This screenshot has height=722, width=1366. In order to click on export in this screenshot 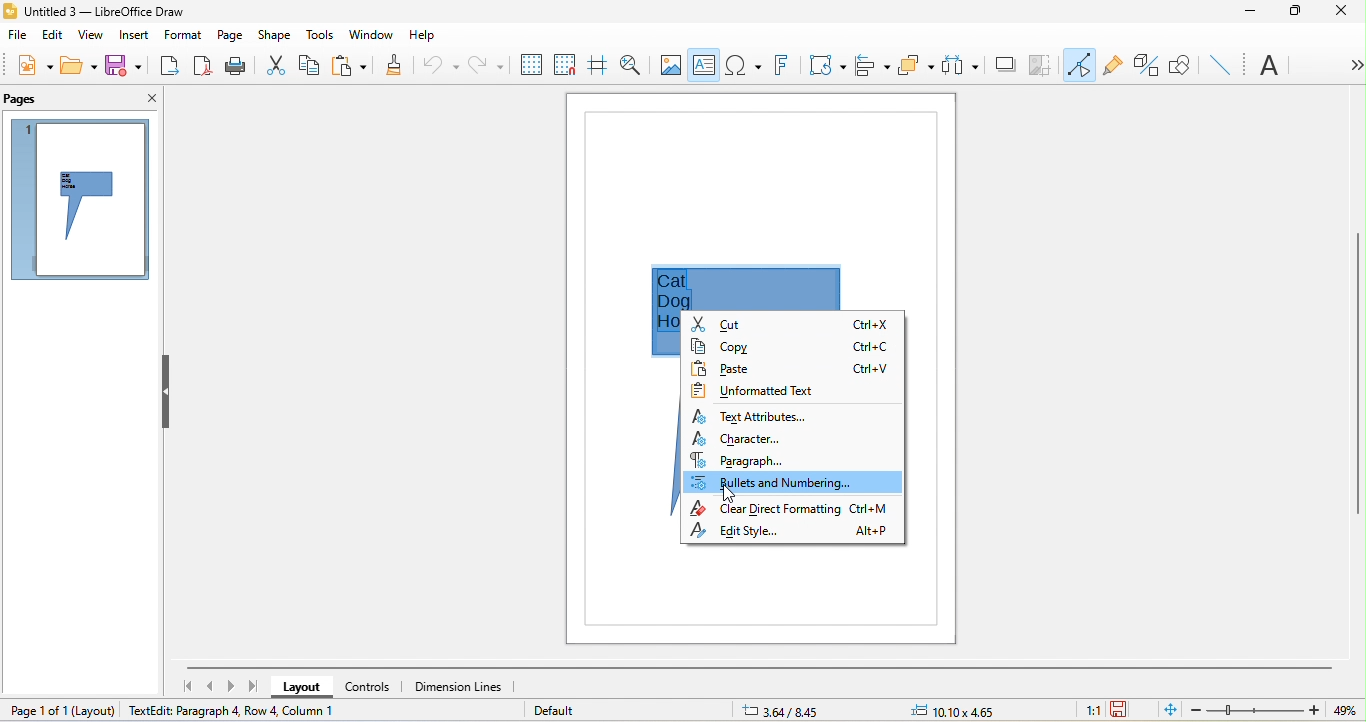, I will do `click(170, 66)`.